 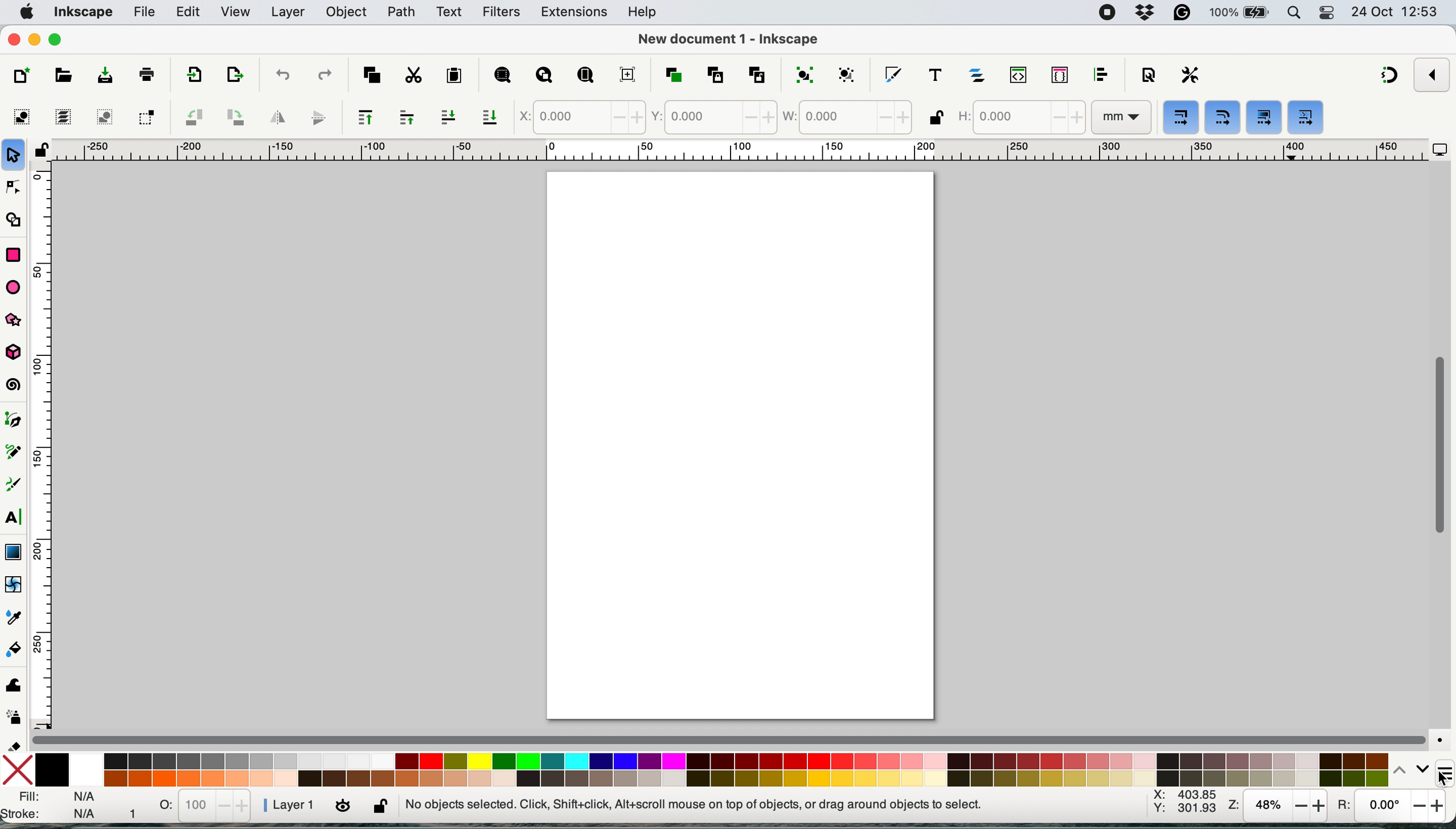 I want to click on toggle visibility of current layer, so click(x=344, y=803).